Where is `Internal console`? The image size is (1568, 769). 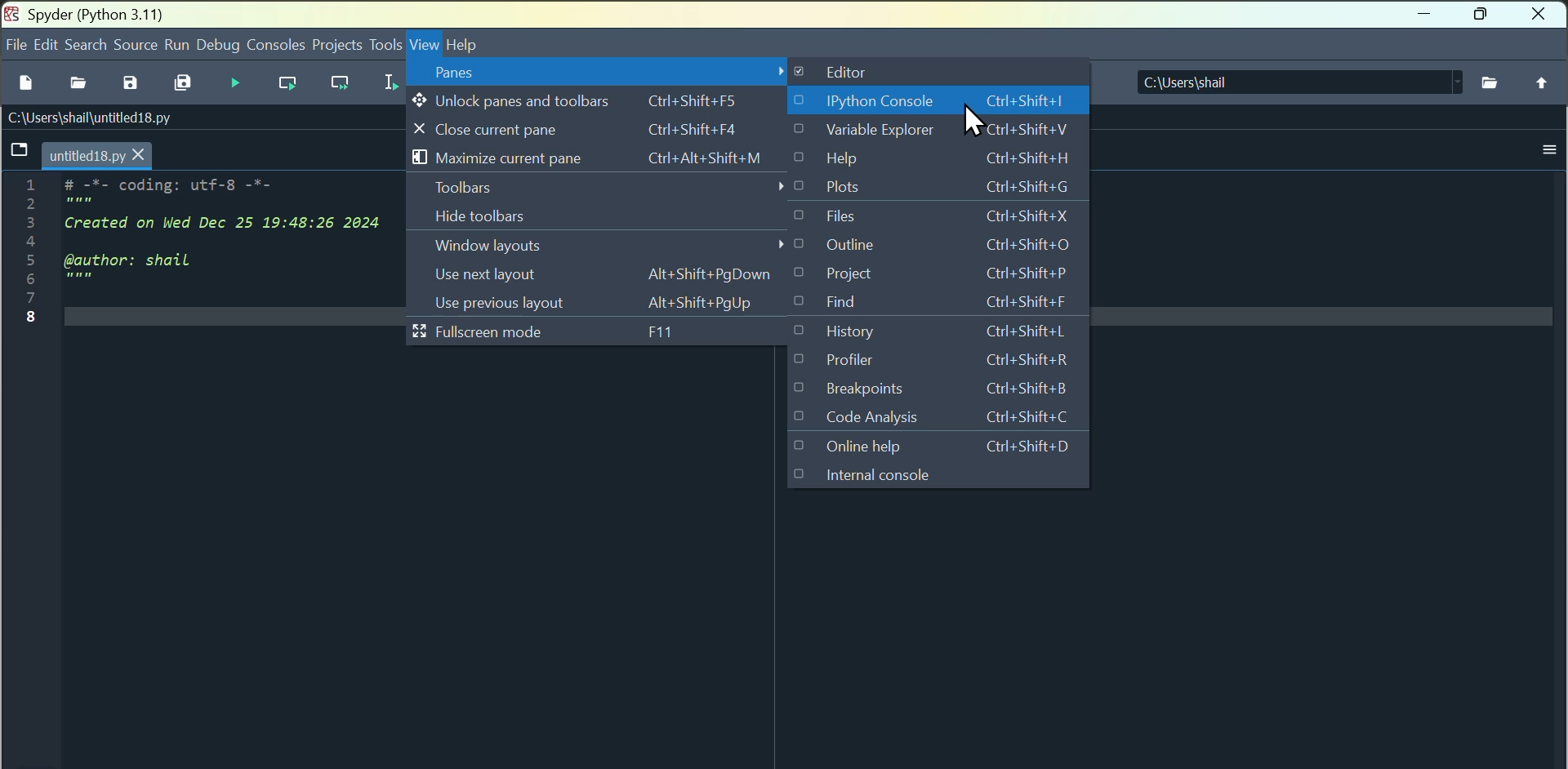 Internal console is located at coordinates (884, 477).